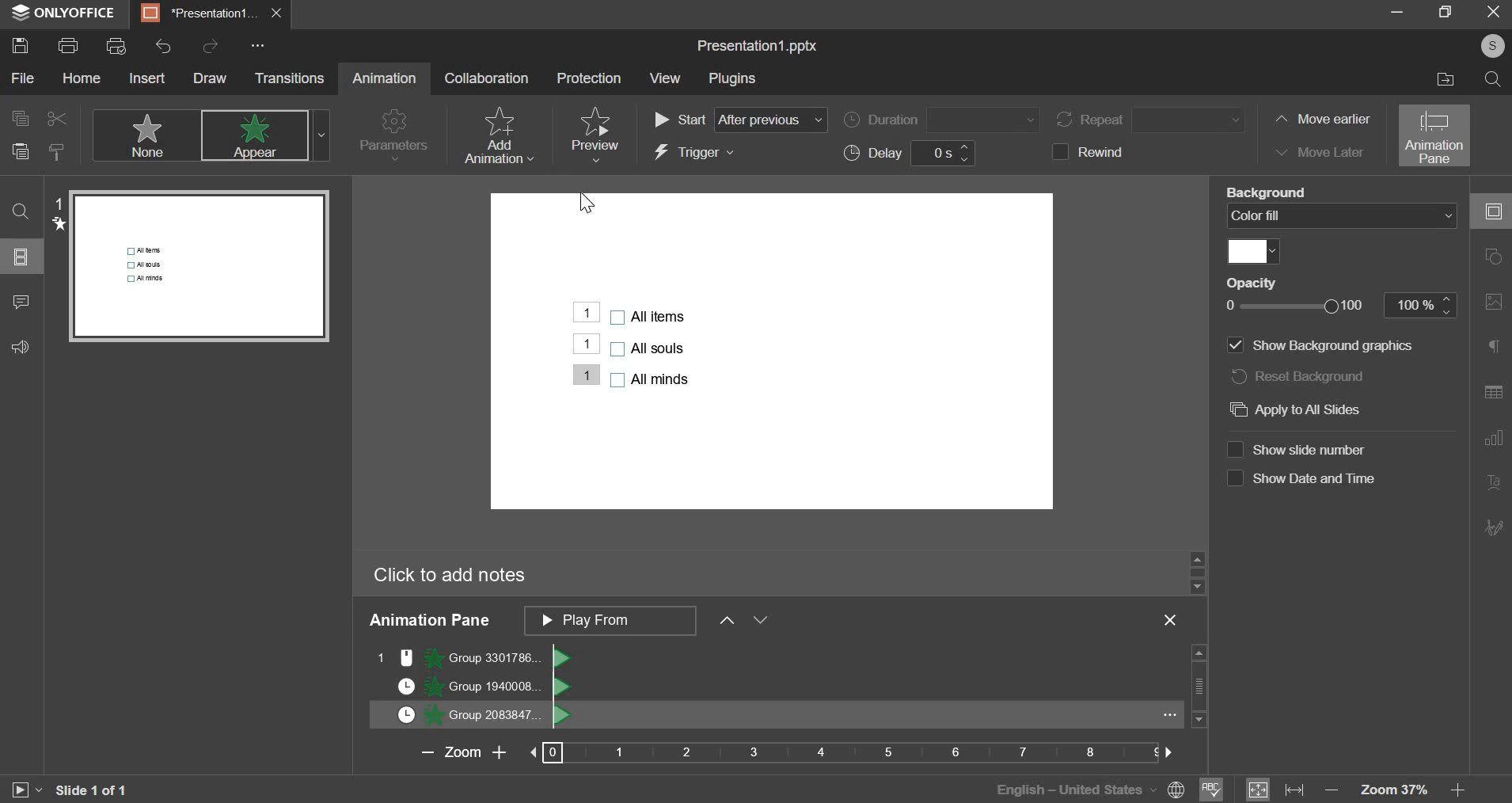 The width and height of the screenshot is (1512, 803). Describe the element at coordinates (19, 45) in the screenshot. I see `save` at that location.